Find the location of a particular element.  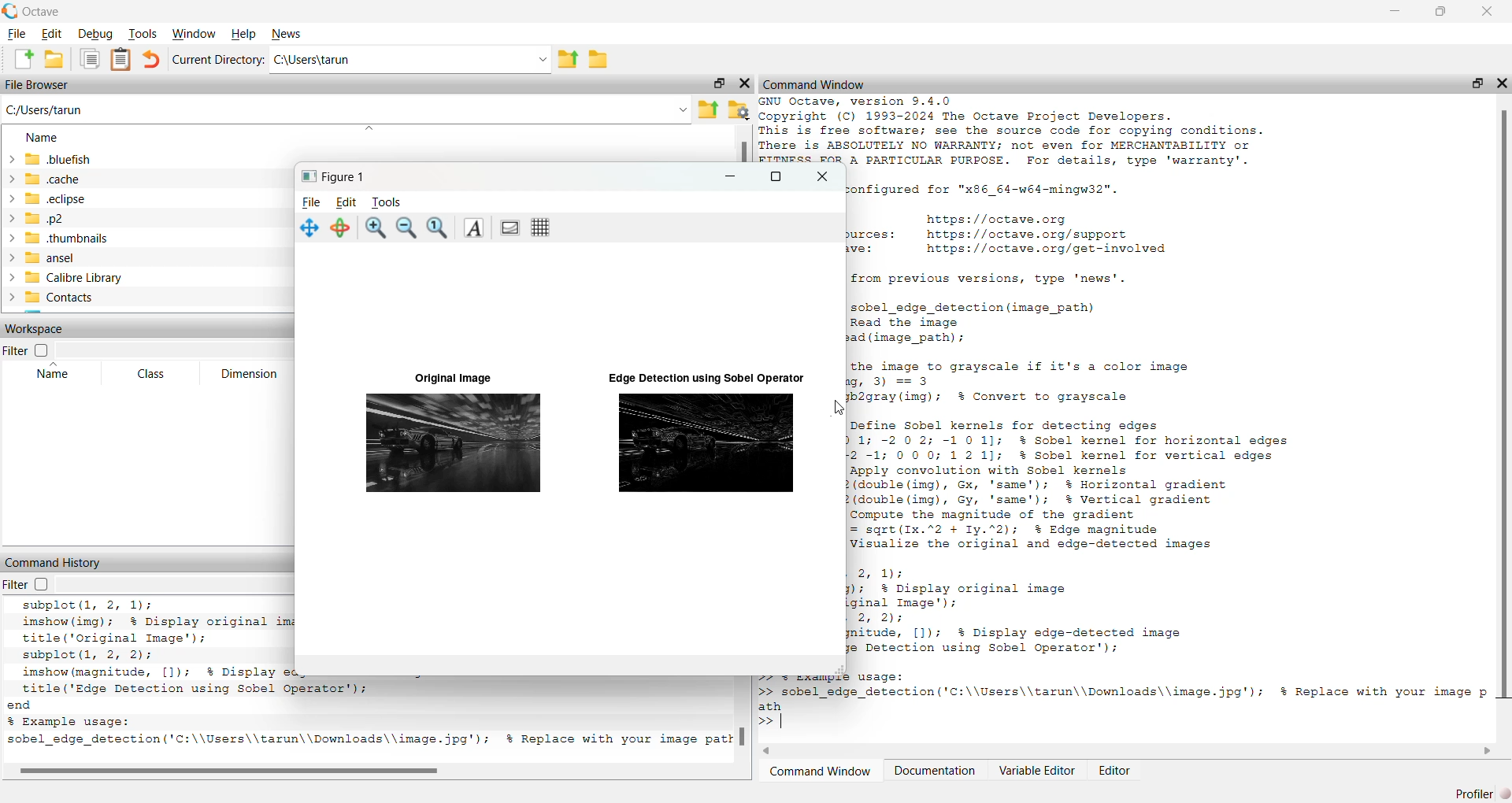

Insert text is located at coordinates (475, 228).